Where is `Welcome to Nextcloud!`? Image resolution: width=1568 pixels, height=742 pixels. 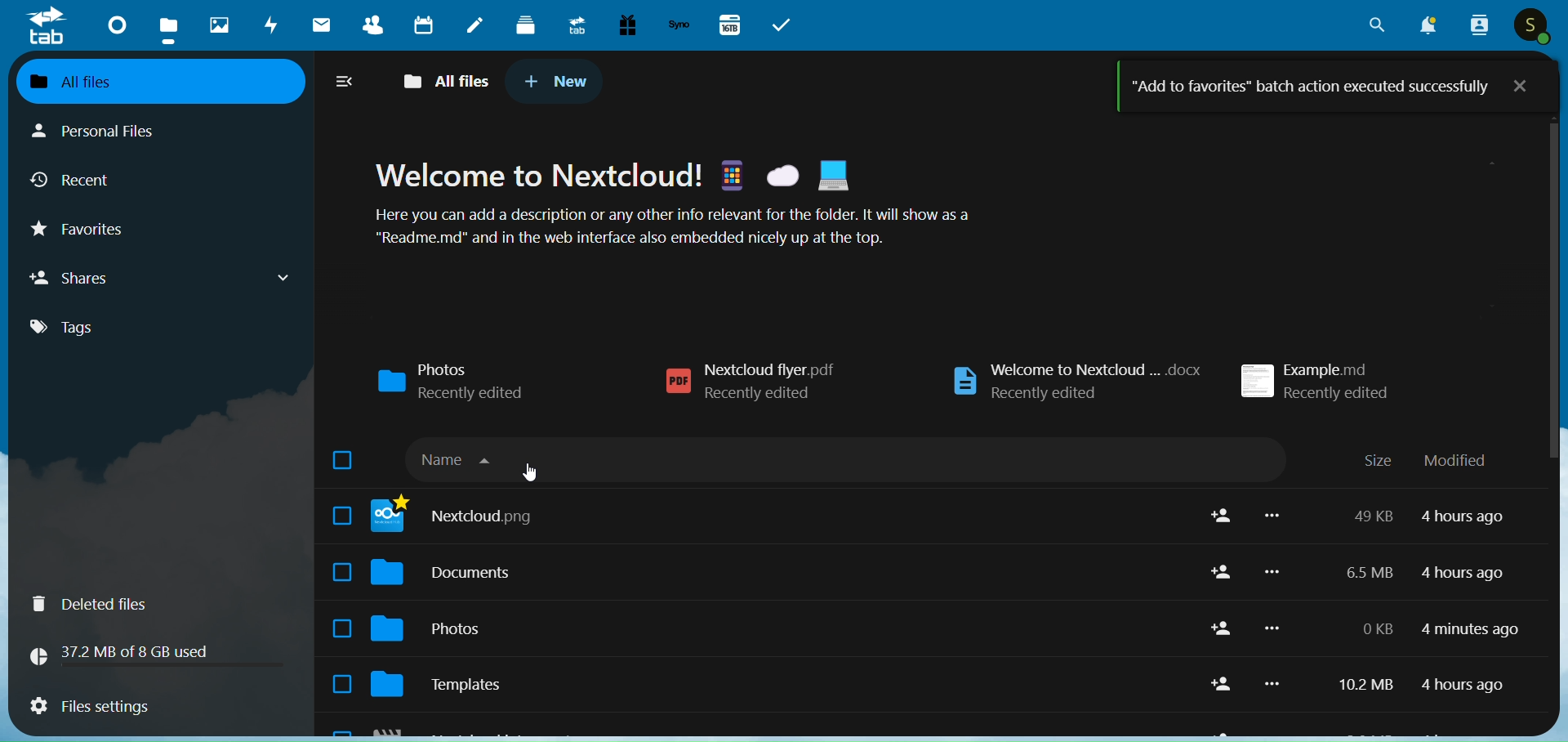 Welcome to Nextcloud! is located at coordinates (538, 174).